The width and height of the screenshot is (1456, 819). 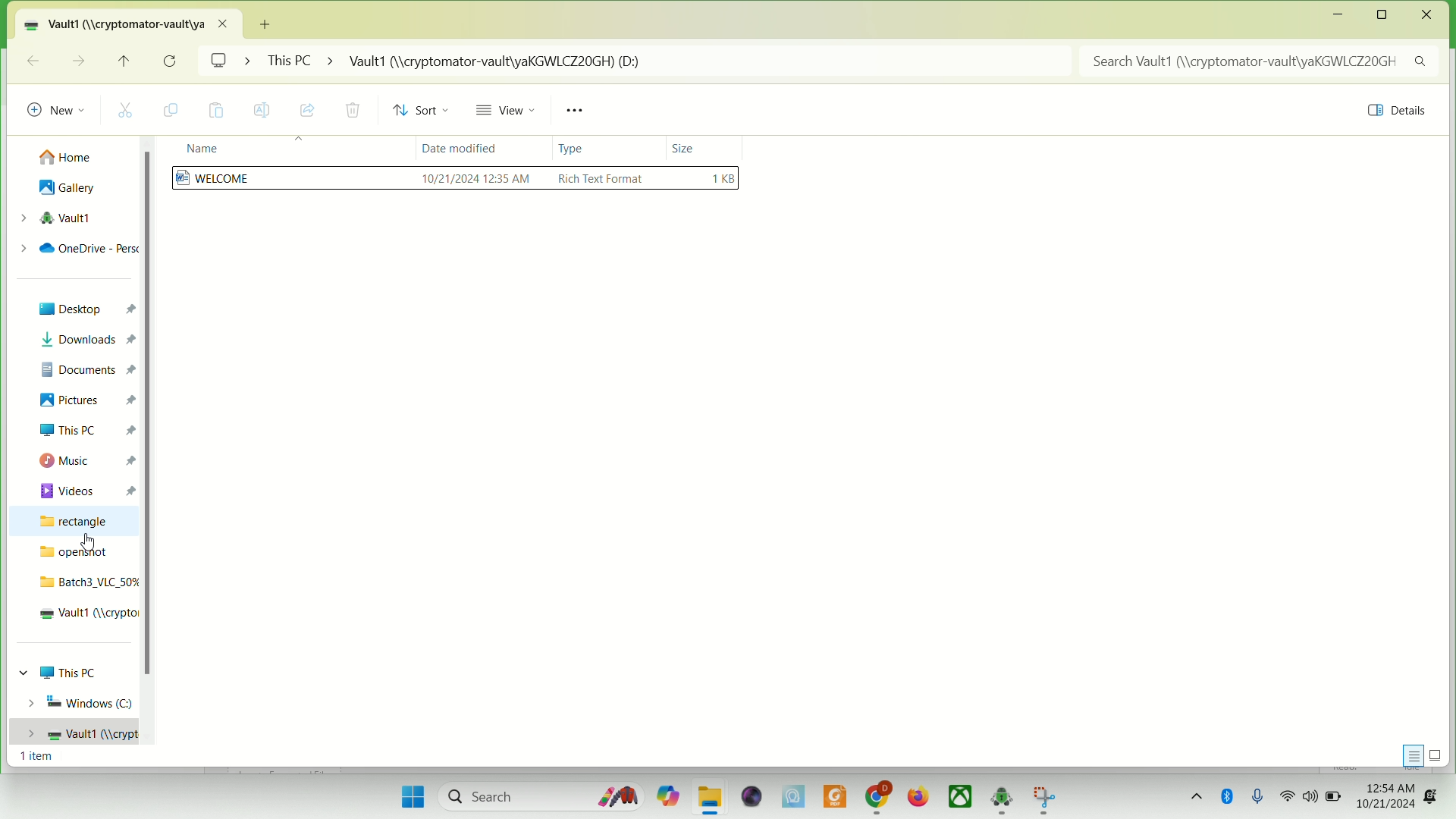 I want to click on start, so click(x=410, y=794).